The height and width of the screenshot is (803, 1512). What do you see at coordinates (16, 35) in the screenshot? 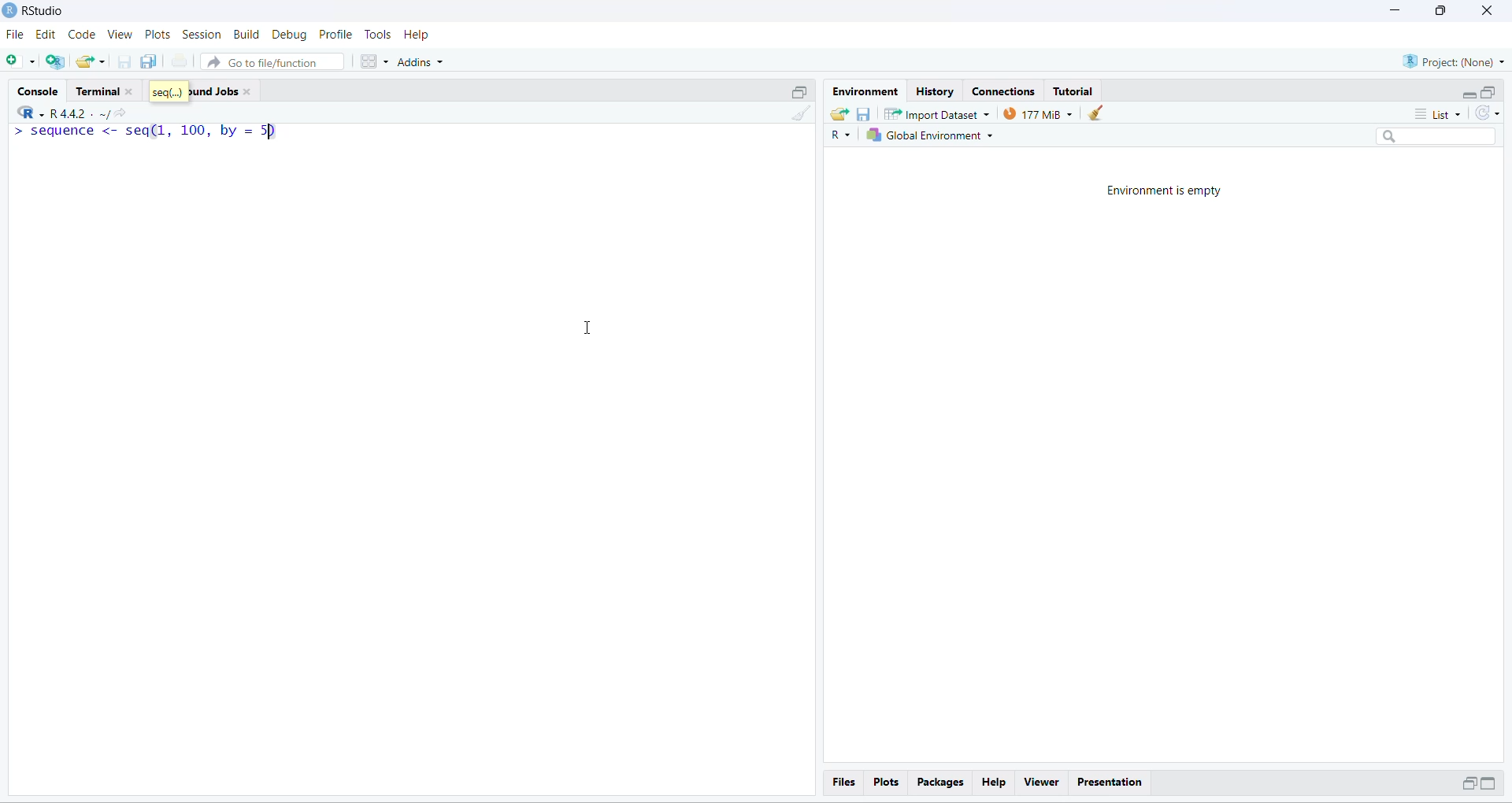
I see `file` at bounding box center [16, 35].